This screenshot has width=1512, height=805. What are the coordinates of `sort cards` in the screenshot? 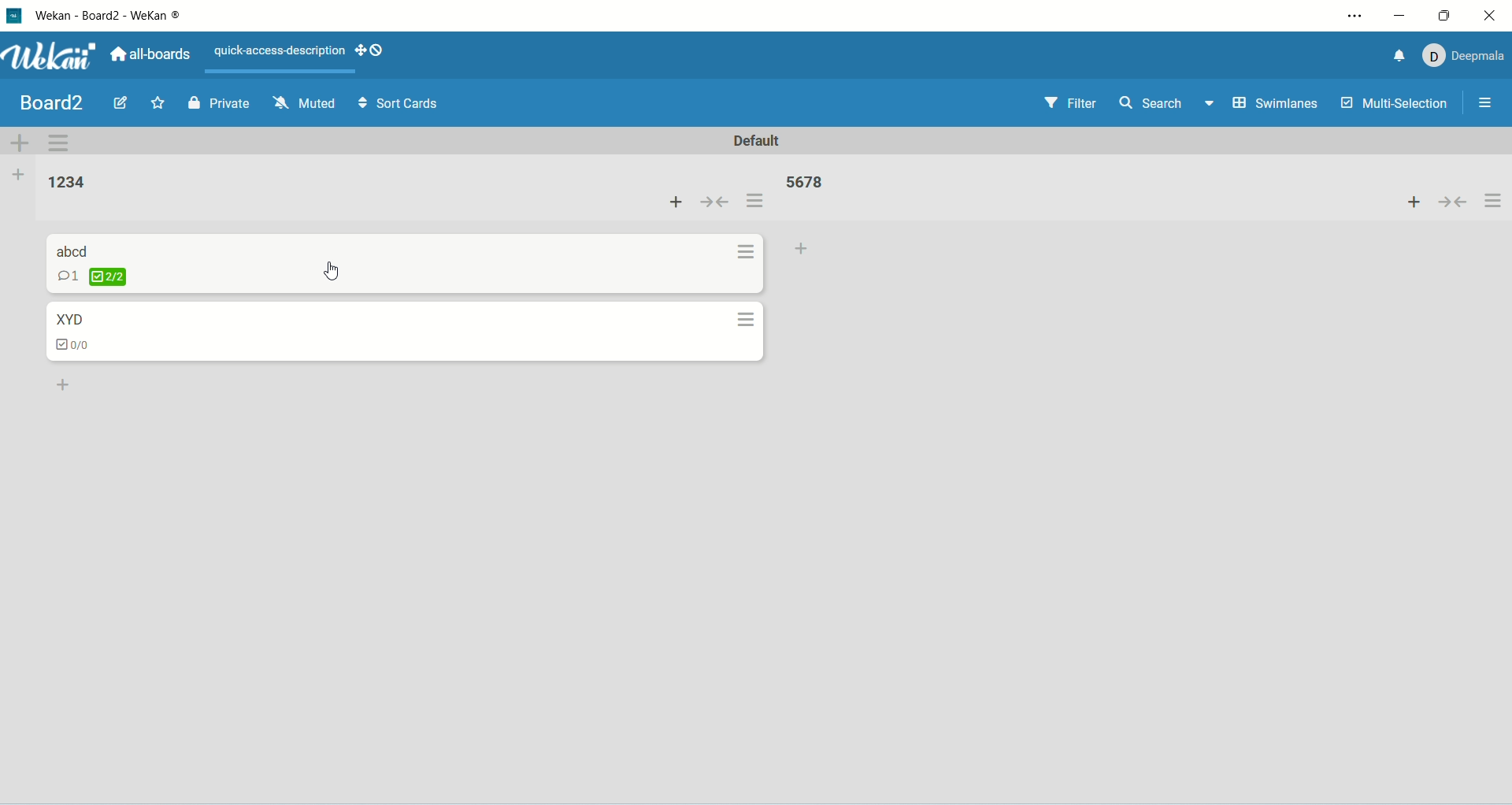 It's located at (400, 104).